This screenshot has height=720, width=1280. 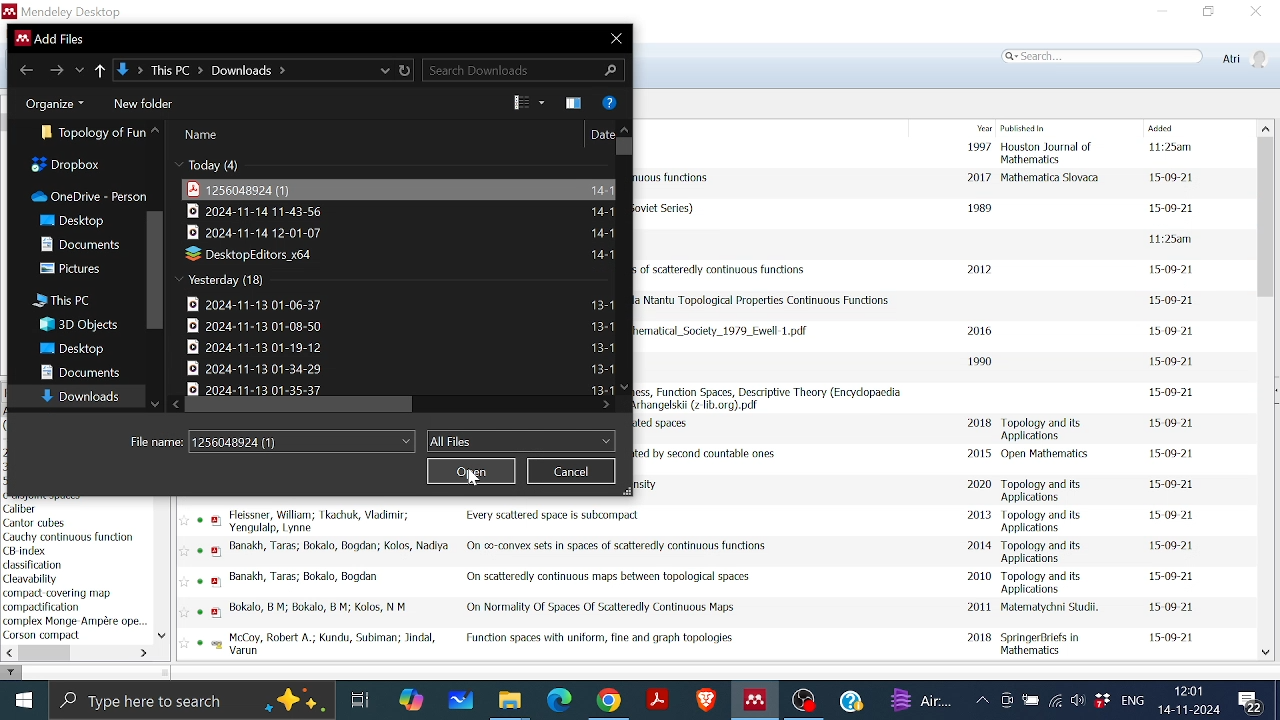 What do you see at coordinates (216, 610) in the screenshot?
I see `pdf` at bounding box center [216, 610].